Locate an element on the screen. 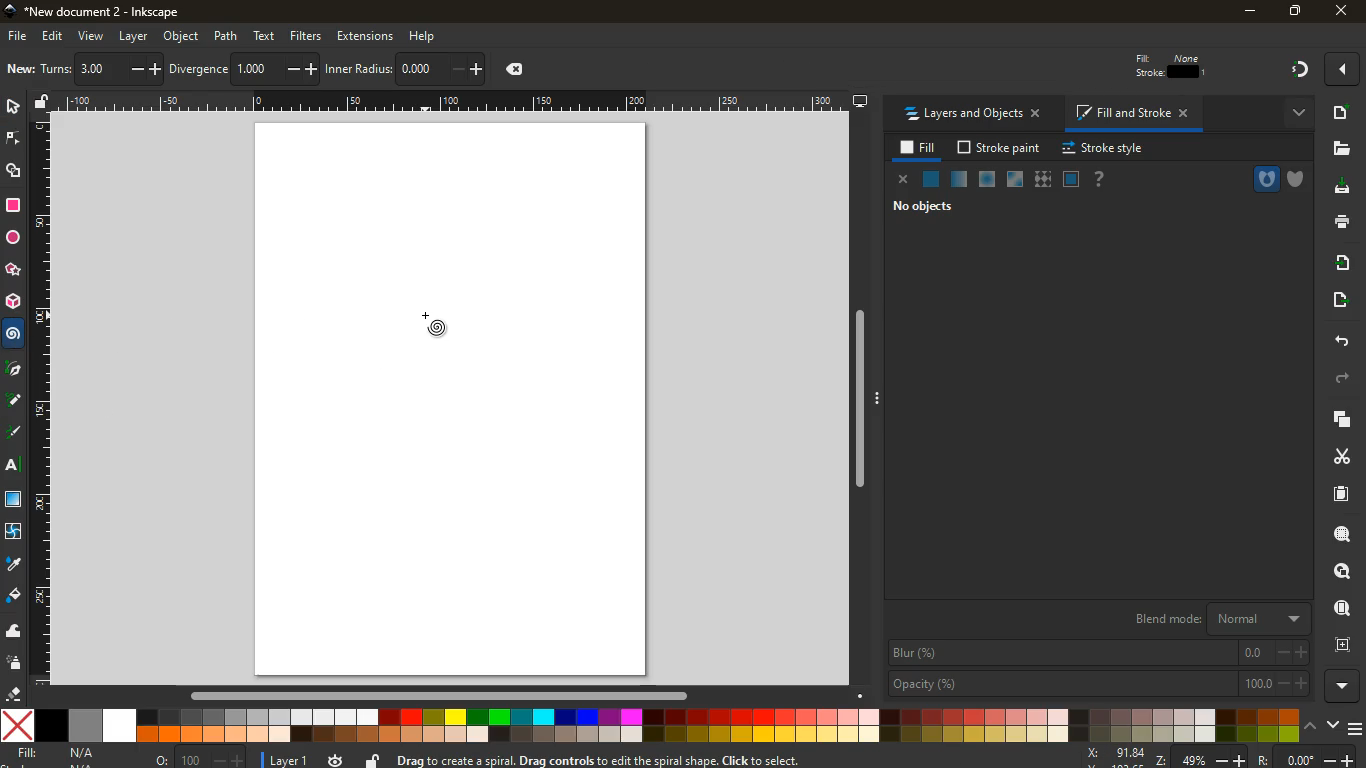 This screenshot has height=768, width=1366.  is located at coordinates (355, 67).